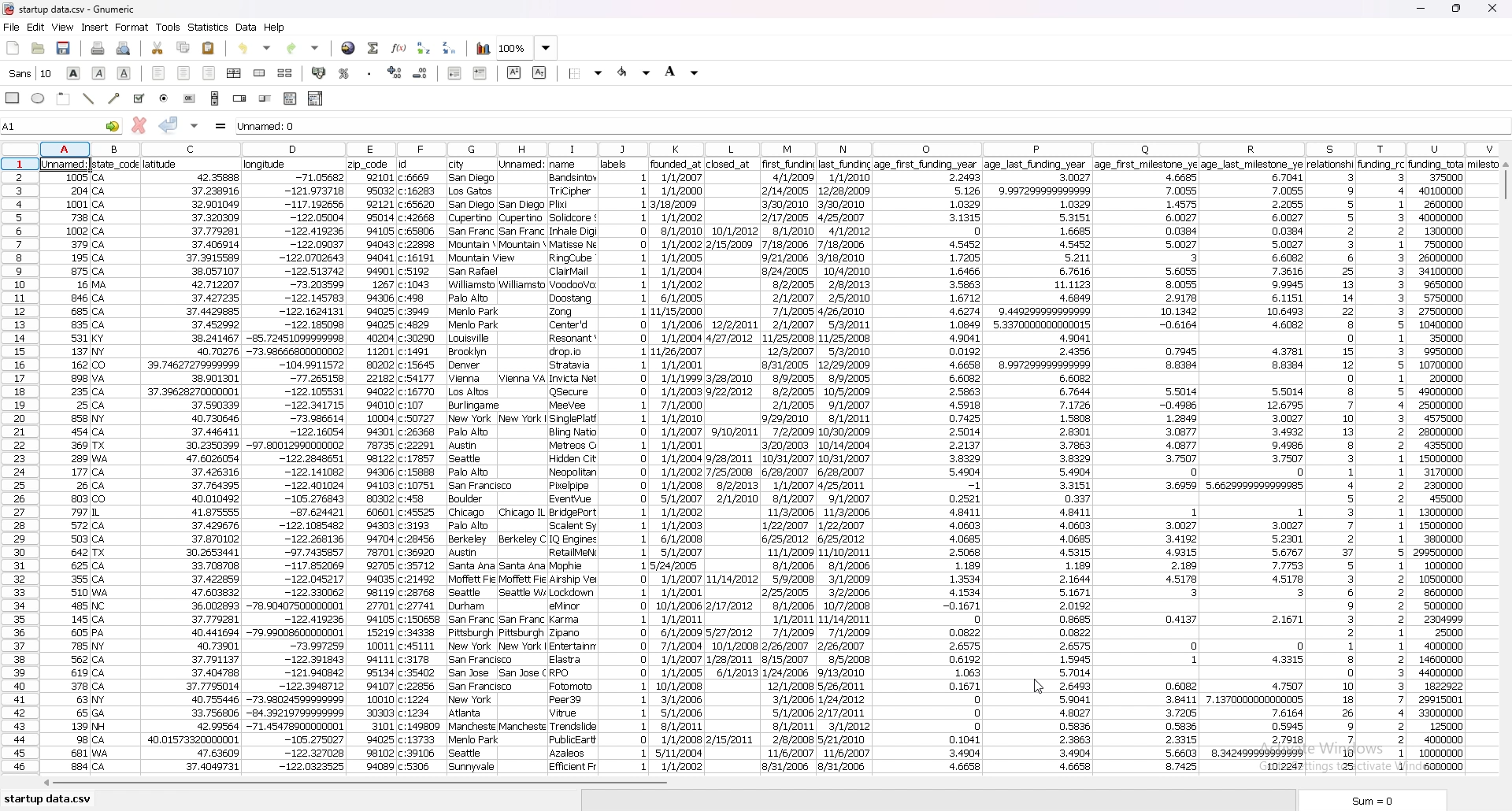  What do you see at coordinates (398, 48) in the screenshot?
I see `function` at bounding box center [398, 48].